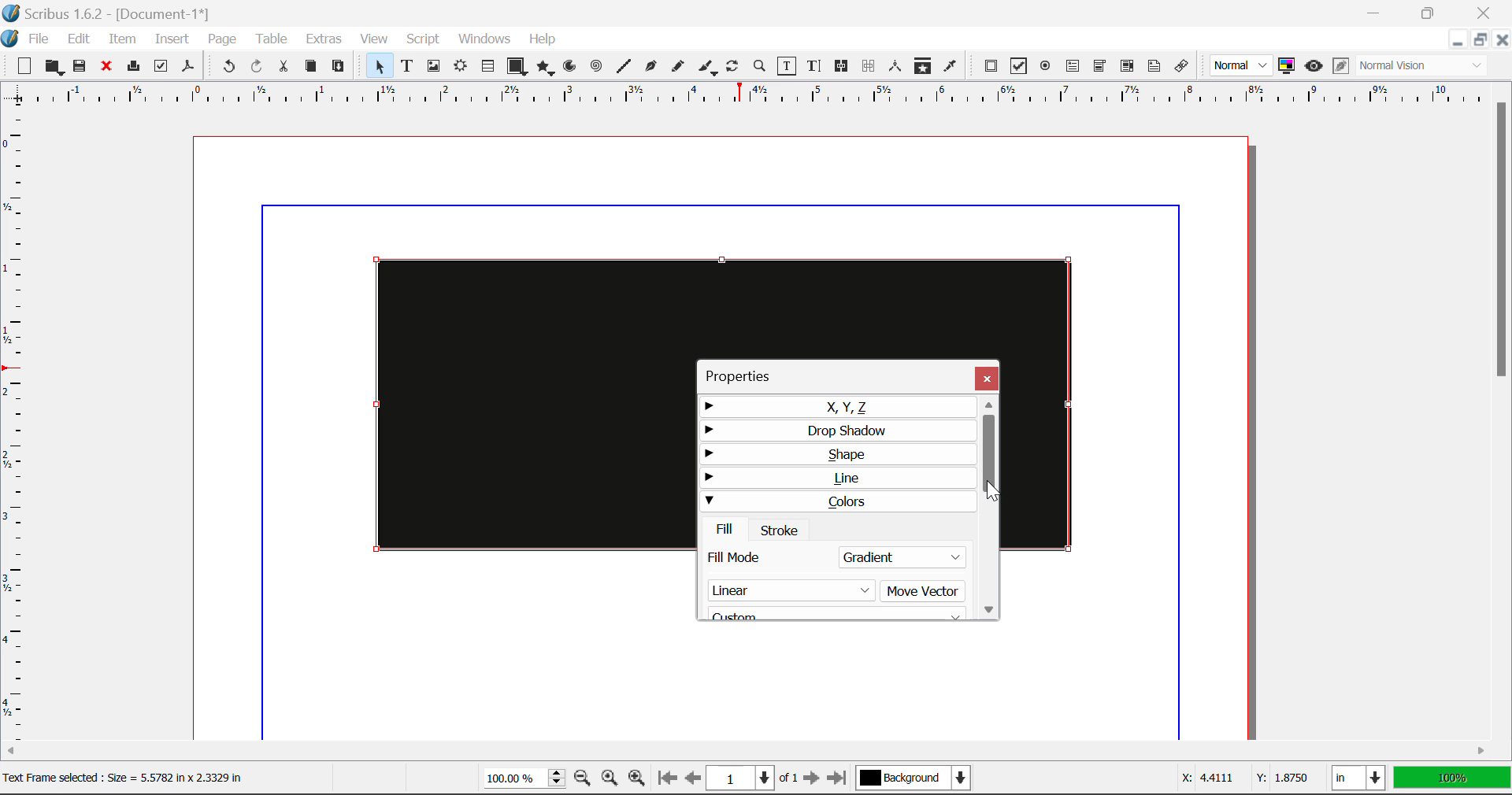 The width and height of the screenshot is (1512, 795). I want to click on Calligraphic Line, so click(709, 69).